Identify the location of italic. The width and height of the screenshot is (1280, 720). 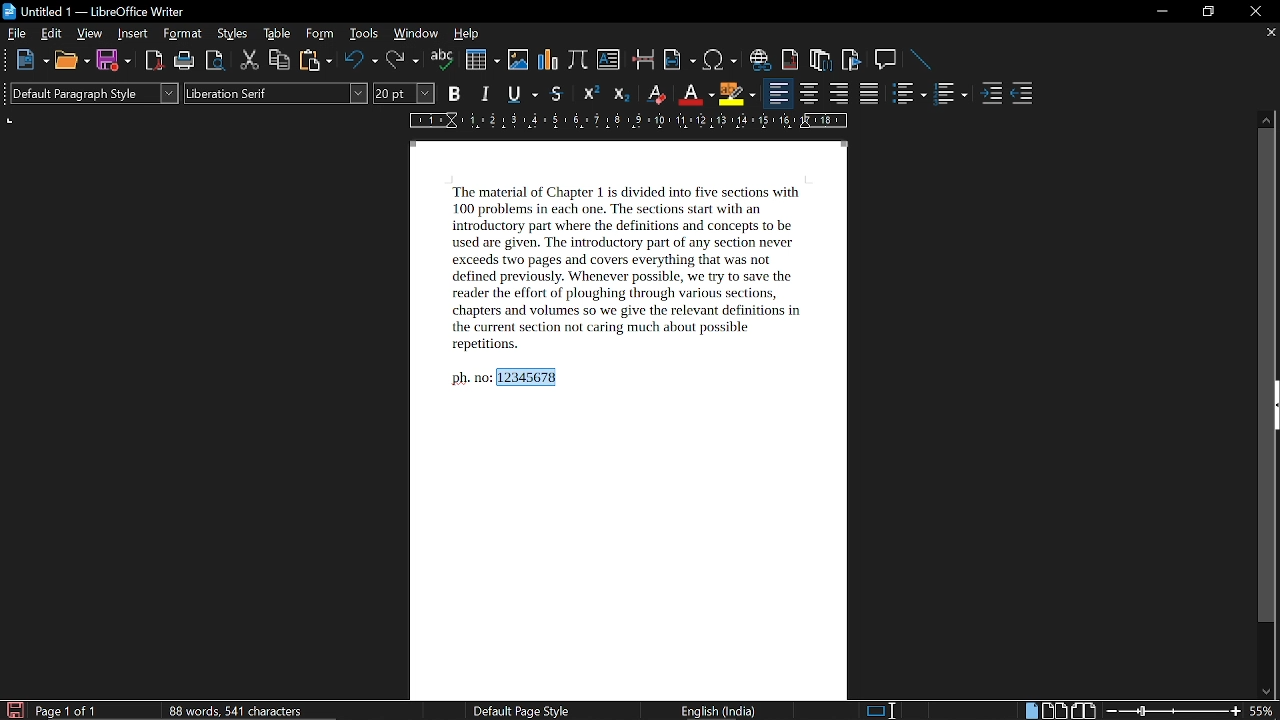
(486, 94).